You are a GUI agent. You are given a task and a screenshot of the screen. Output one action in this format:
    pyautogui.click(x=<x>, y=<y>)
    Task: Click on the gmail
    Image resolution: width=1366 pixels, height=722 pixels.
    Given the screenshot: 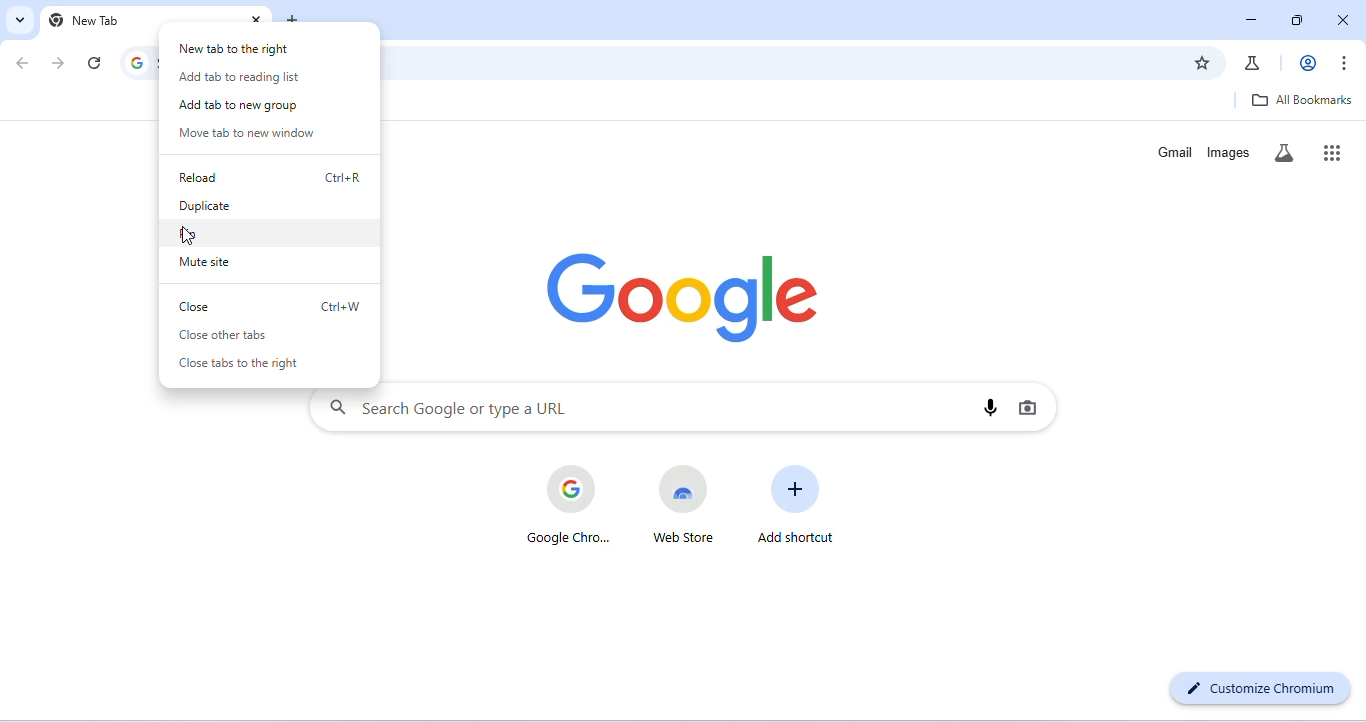 What is the action you would take?
    pyautogui.click(x=1177, y=151)
    